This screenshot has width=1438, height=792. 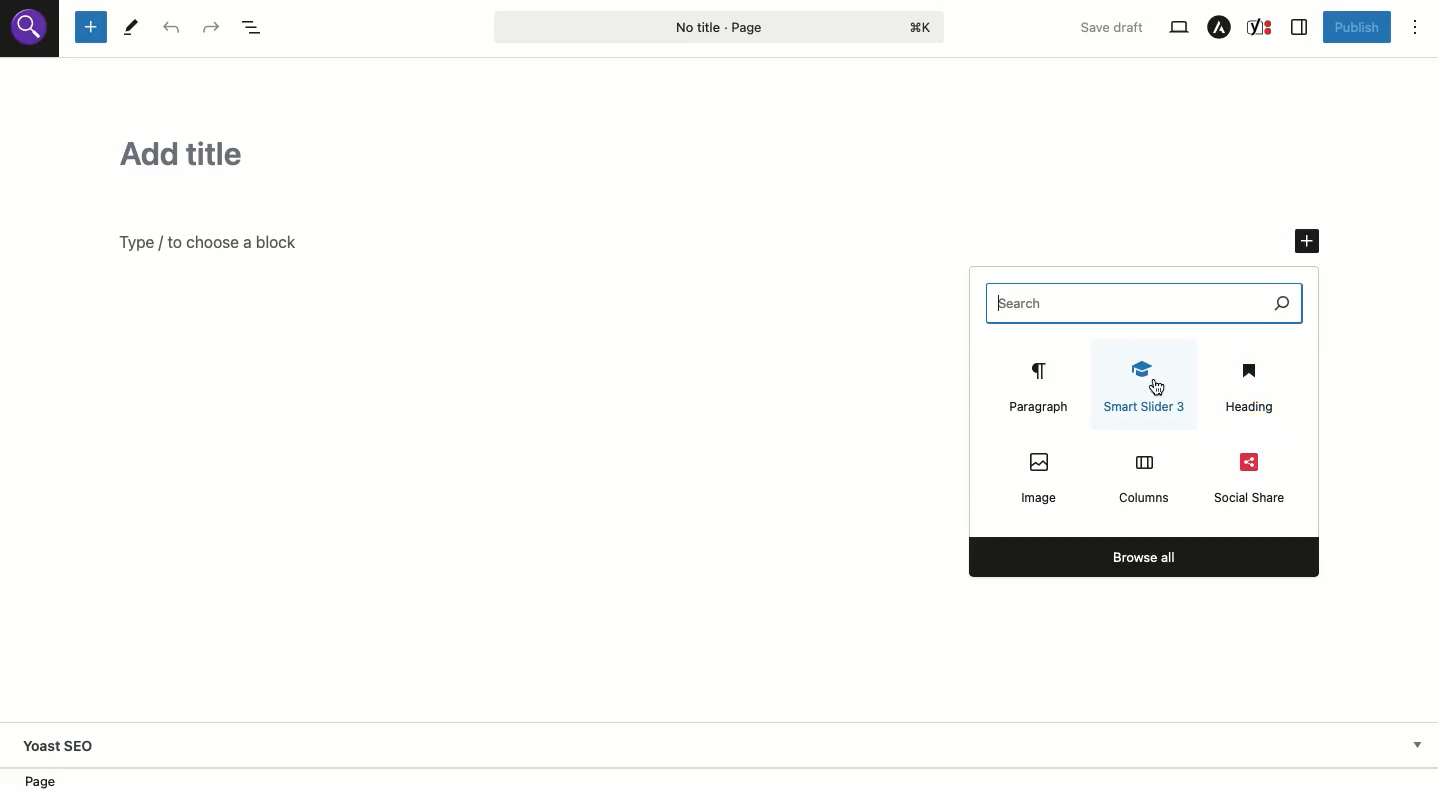 What do you see at coordinates (1035, 385) in the screenshot?
I see `Paragraph` at bounding box center [1035, 385].